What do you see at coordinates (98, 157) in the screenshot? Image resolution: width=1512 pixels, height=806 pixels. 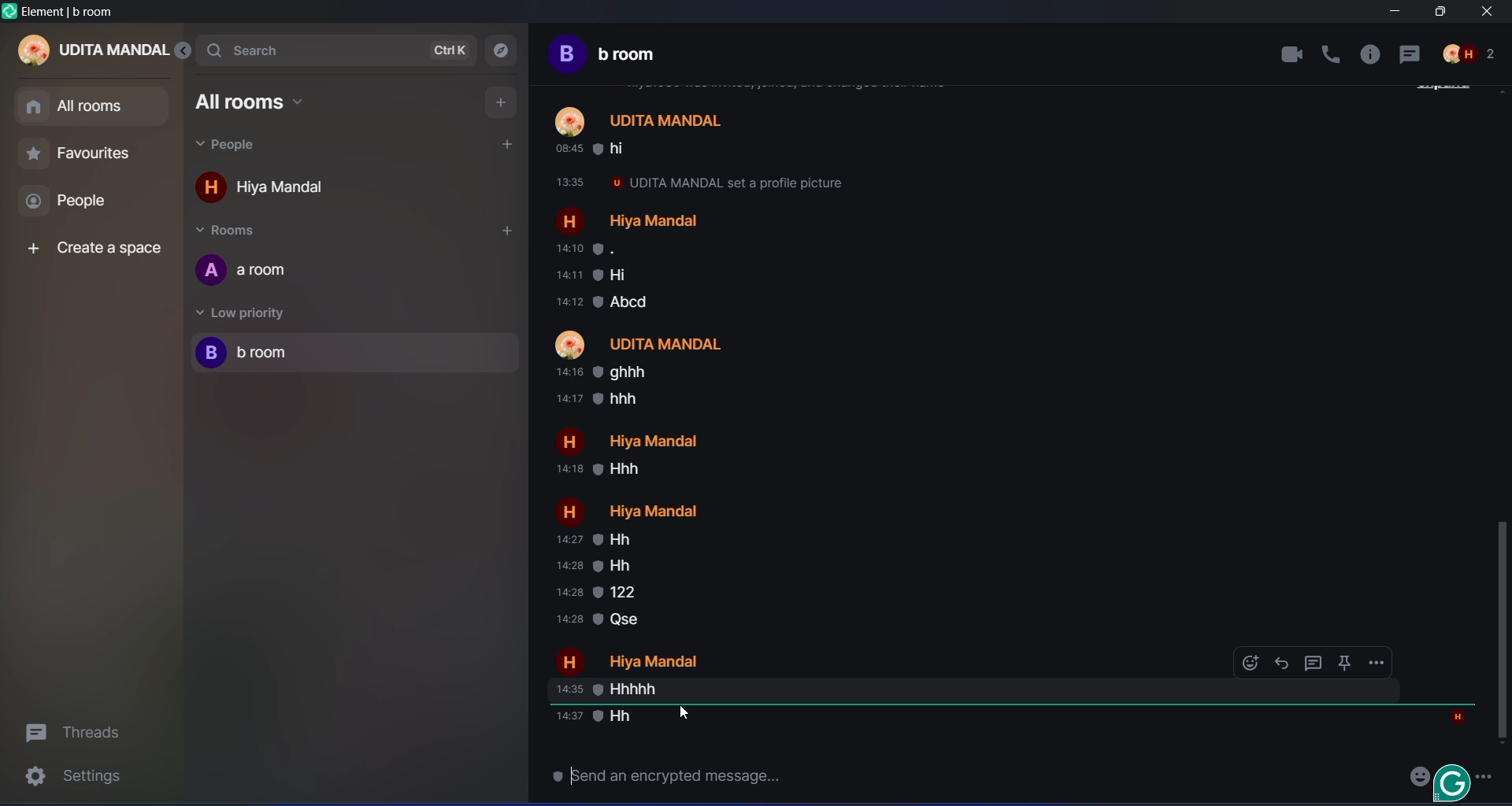 I see `Favourites` at bounding box center [98, 157].